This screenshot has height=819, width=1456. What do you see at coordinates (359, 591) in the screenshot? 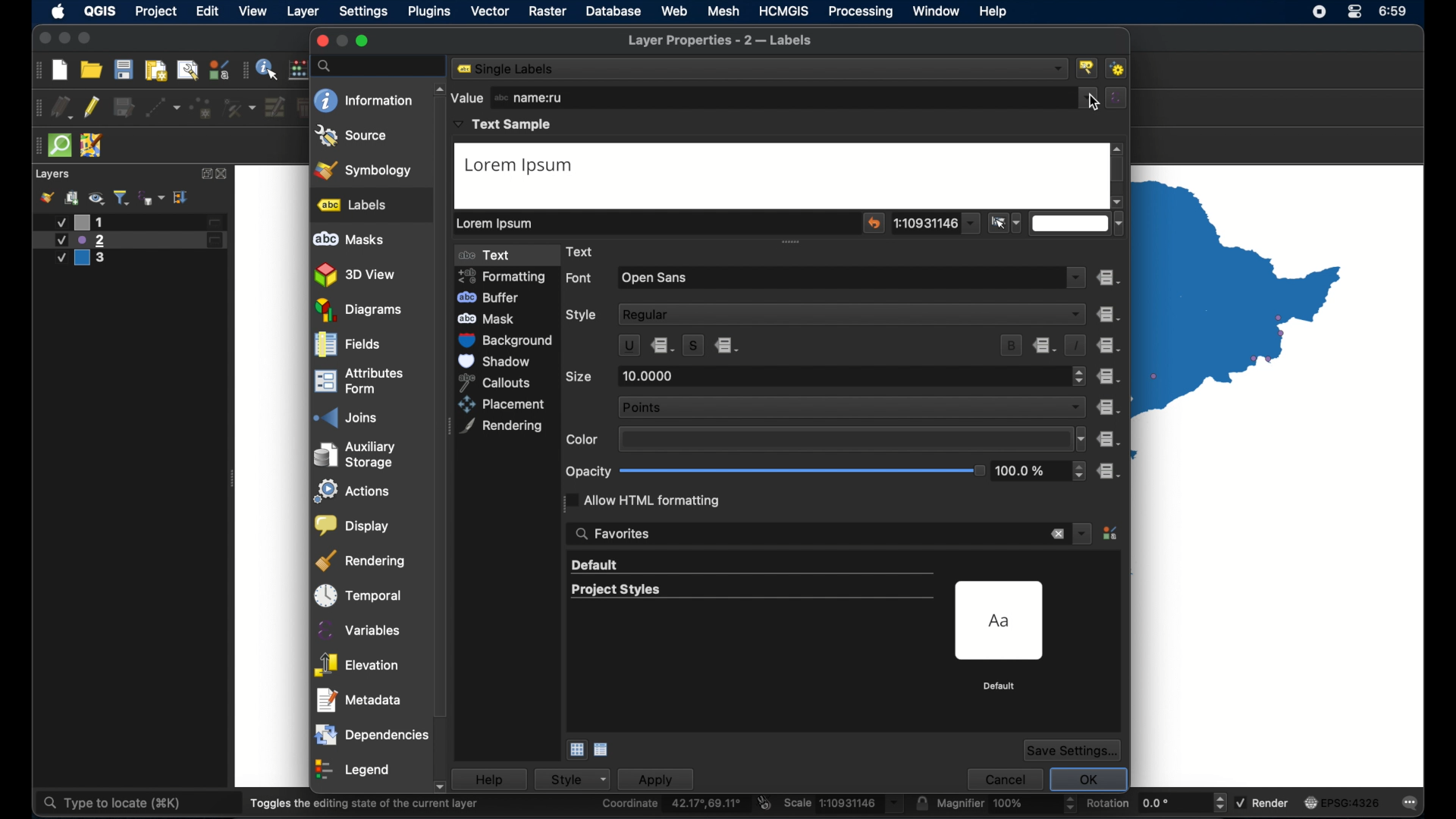
I see `temporal` at bounding box center [359, 591].